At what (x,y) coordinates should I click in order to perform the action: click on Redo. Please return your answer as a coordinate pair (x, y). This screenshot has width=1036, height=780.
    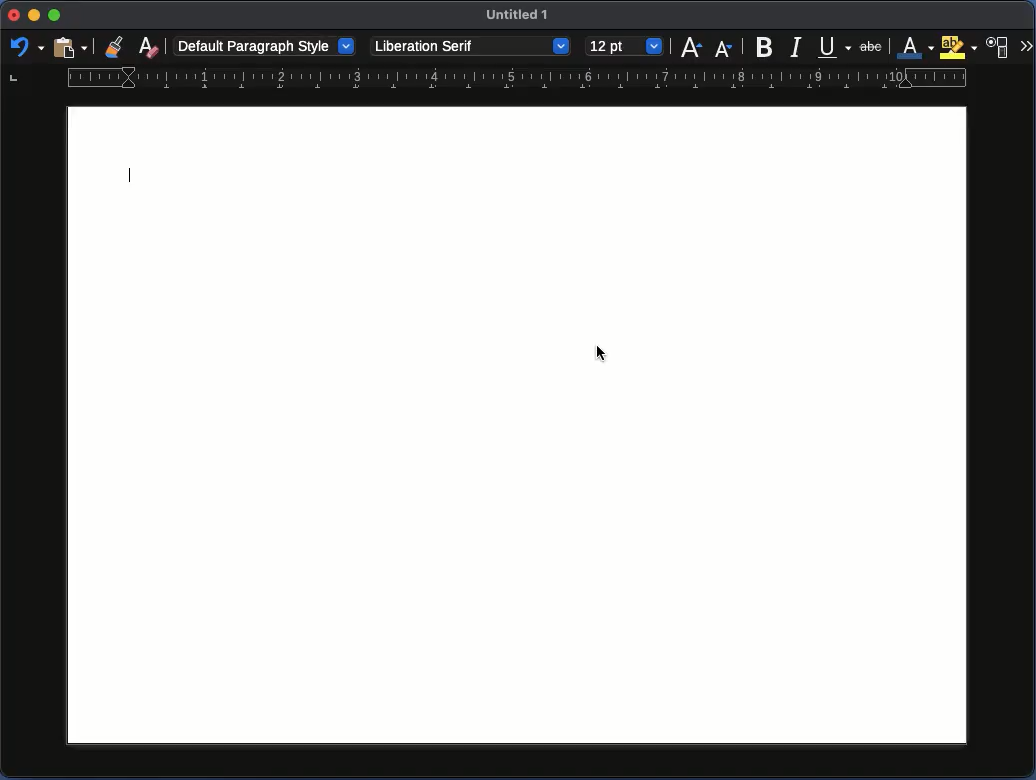
    Looking at the image, I should click on (23, 49).